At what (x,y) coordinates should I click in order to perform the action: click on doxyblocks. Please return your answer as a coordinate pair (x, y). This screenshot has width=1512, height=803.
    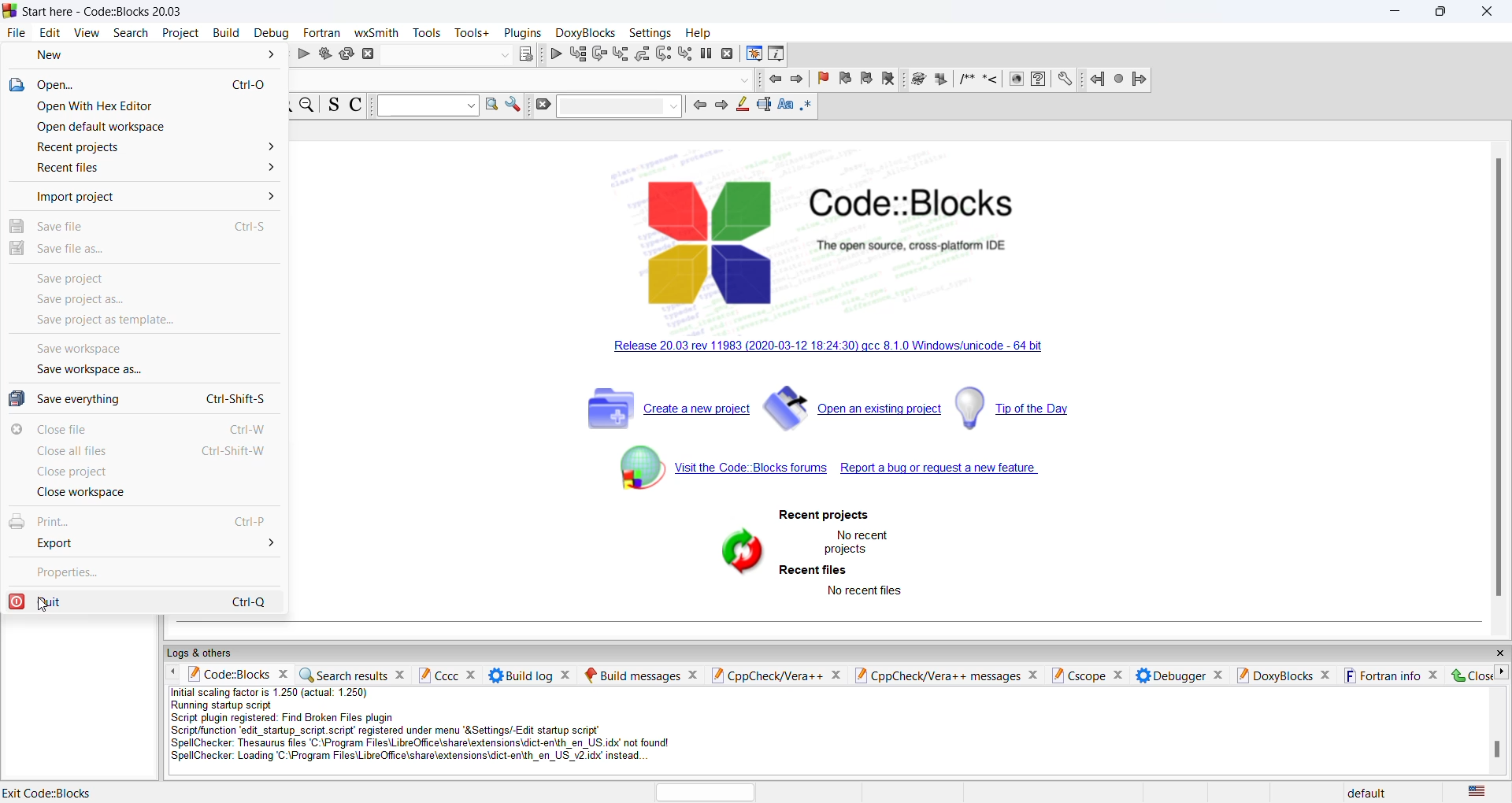
    Looking at the image, I should click on (1273, 675).